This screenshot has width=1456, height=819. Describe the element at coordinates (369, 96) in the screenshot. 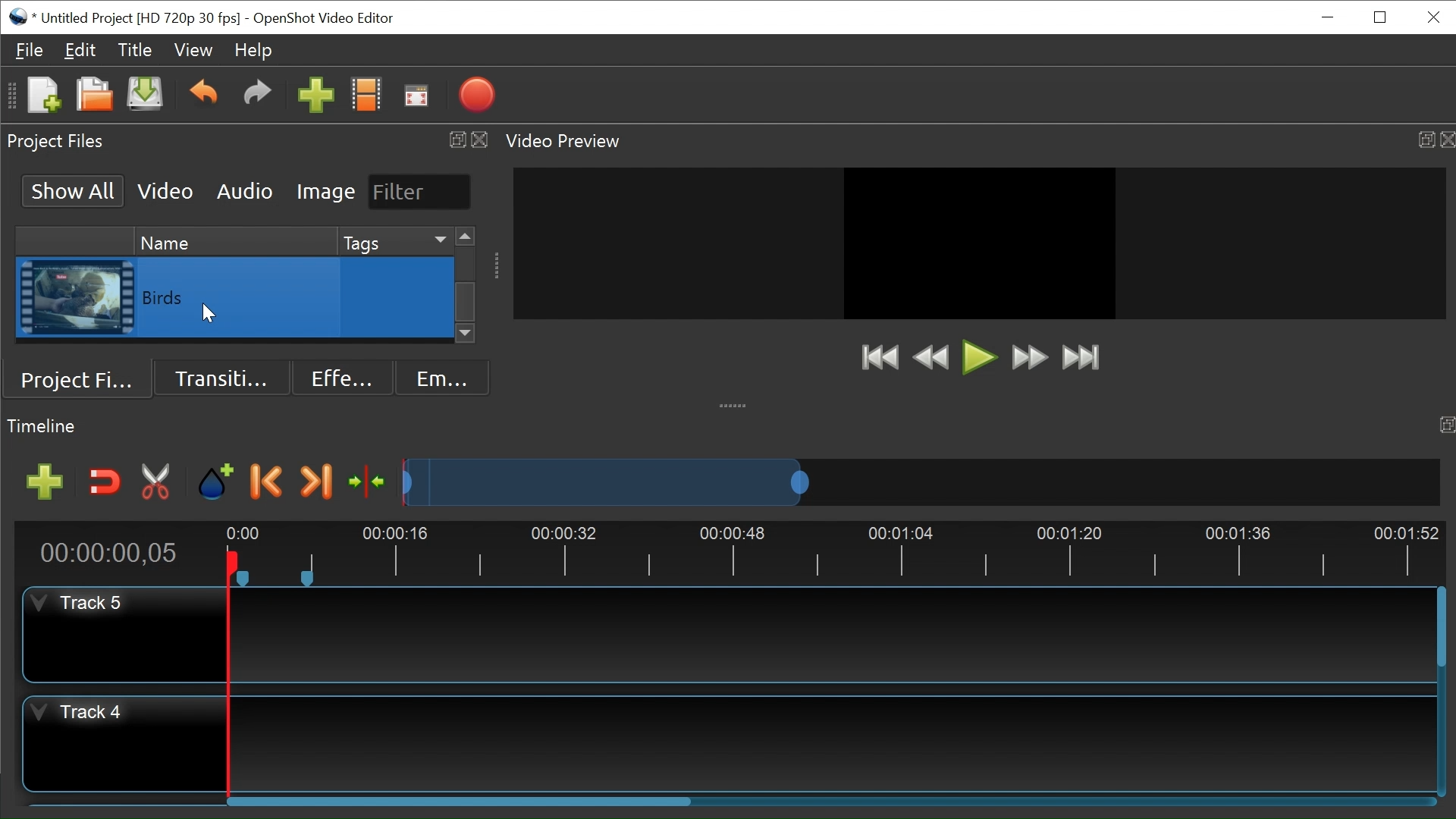

I see `Chooses Profile` at that location.